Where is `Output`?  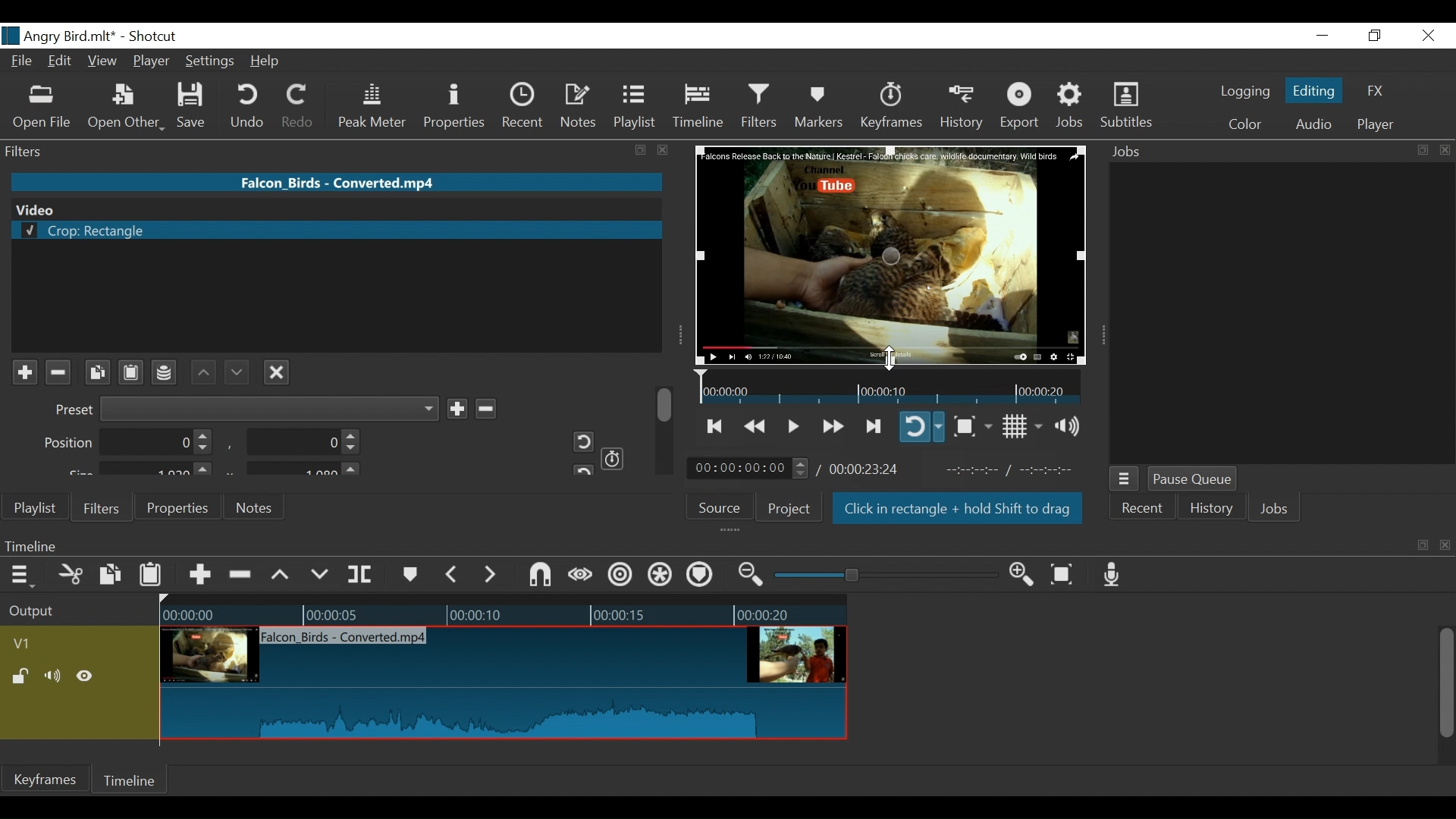
Output is located at coordinates (77, 612).